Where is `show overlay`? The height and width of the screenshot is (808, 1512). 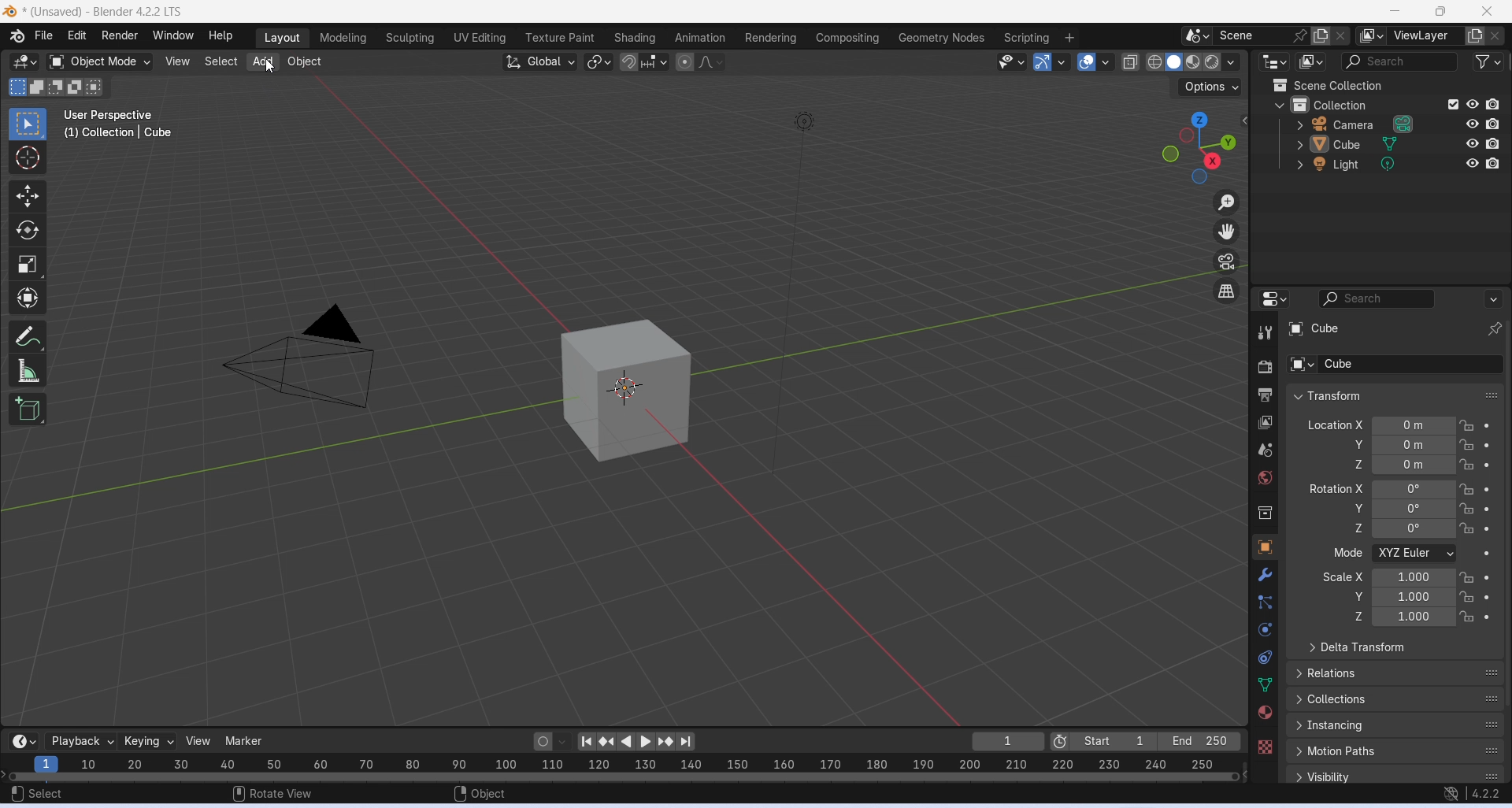
show overlay is located at coordinates (1086, 61).